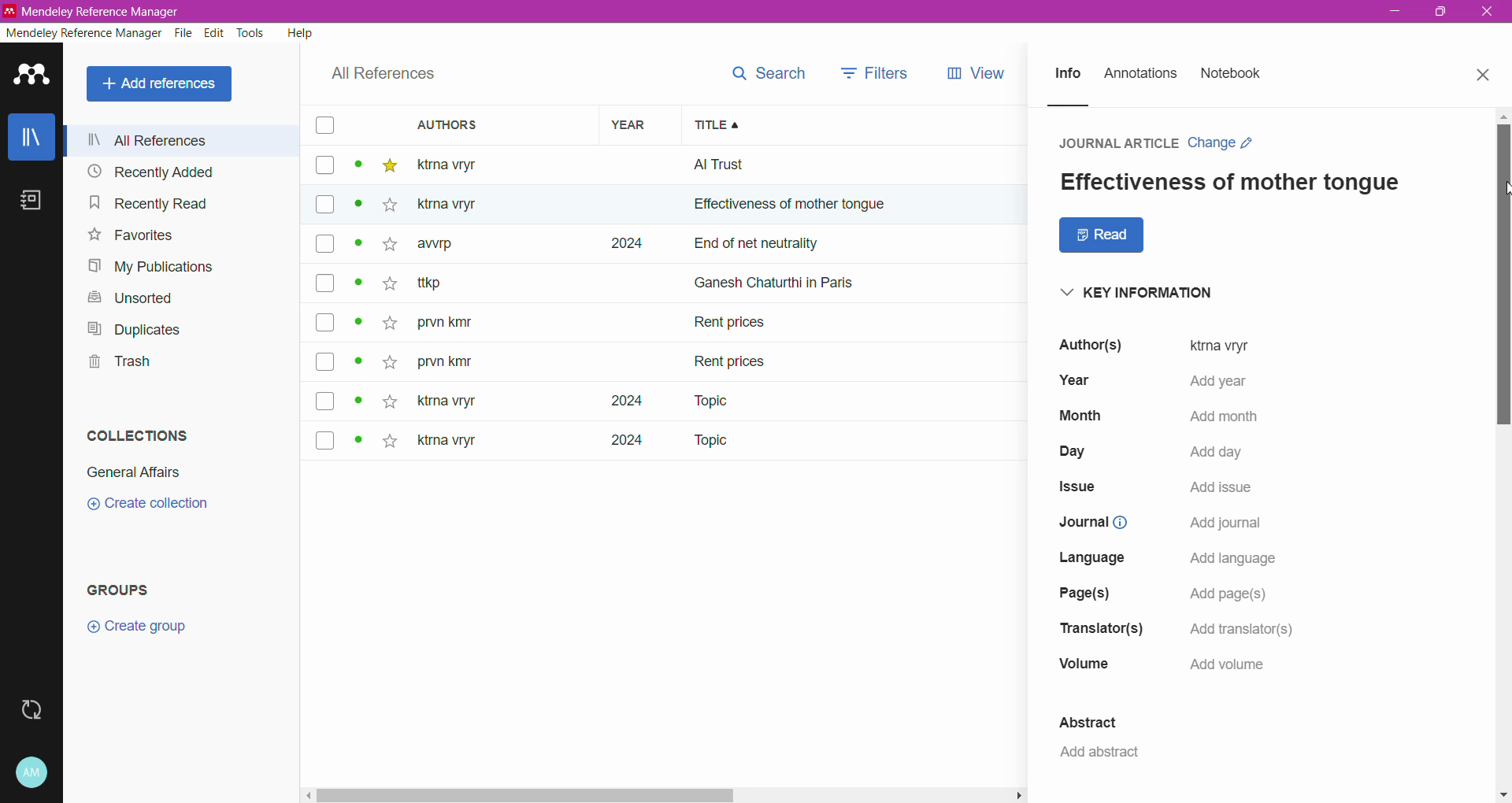 Image resolution: width=1512 pixels, height=803 pixels. What do you see at coordinates (445, 364) in the screenshot?
I see `prvn kity` at bounding box center [445, 364].